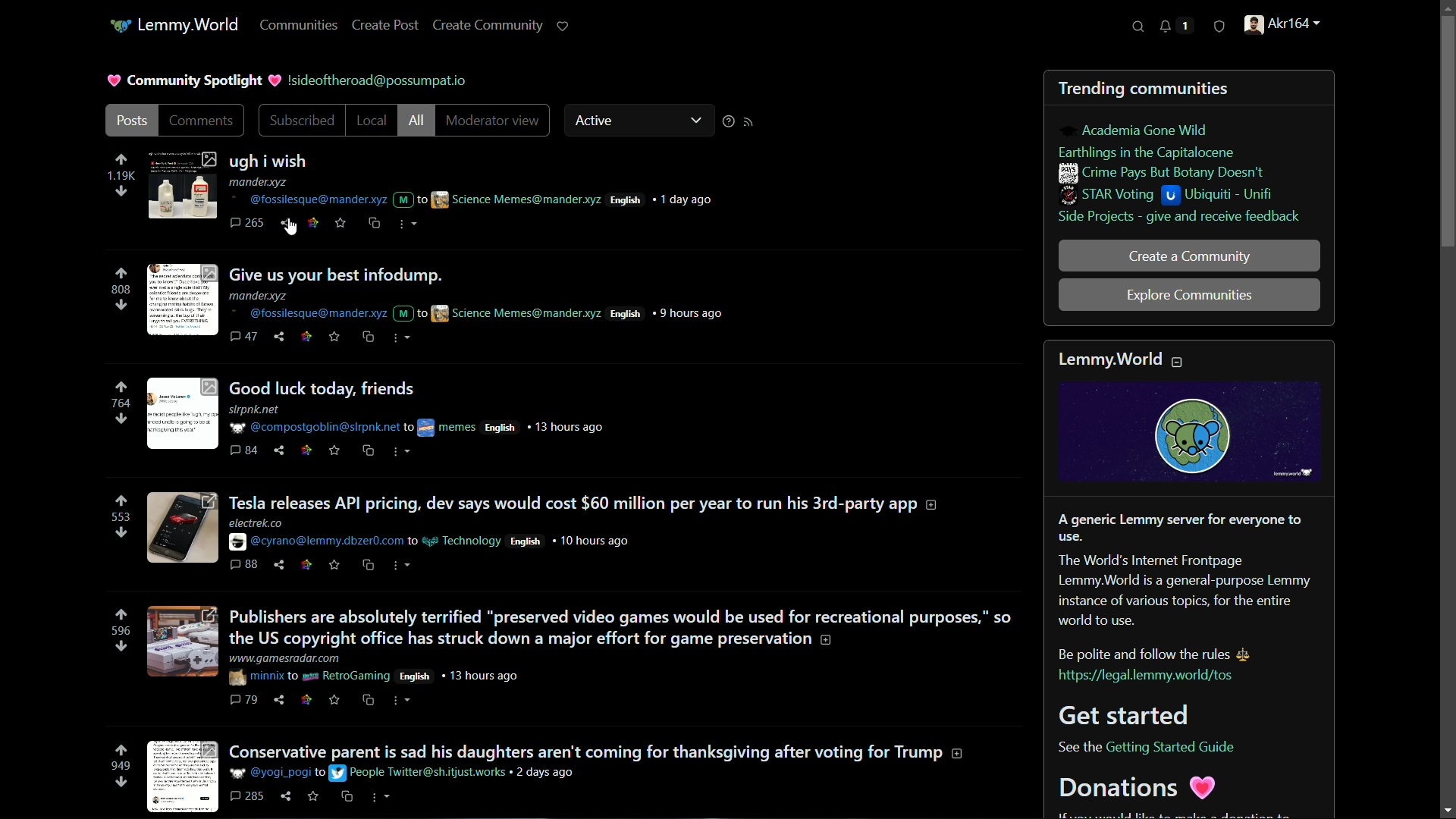  What do you see at coordinates (120, 533) in the screenshot?
I see `downvote` at bounding box center [120, 533].